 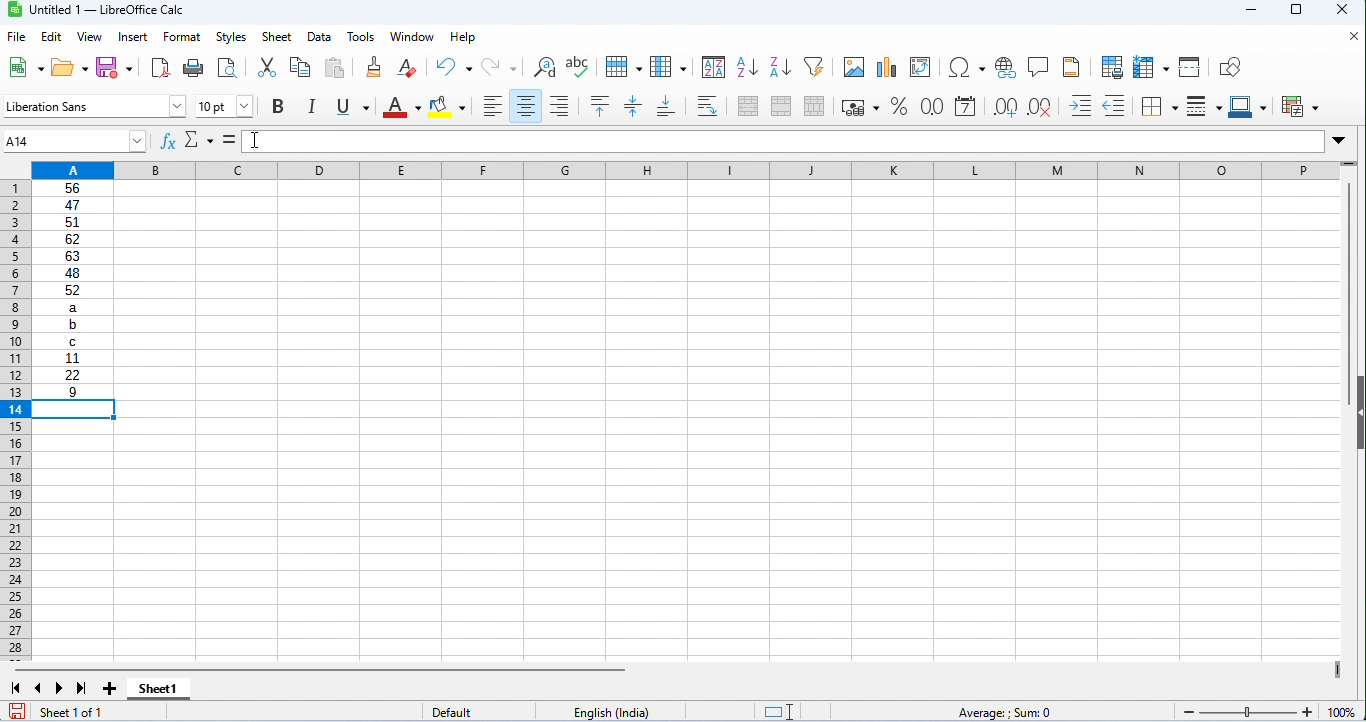 I want to click on close, so click(x=1351, y=35).